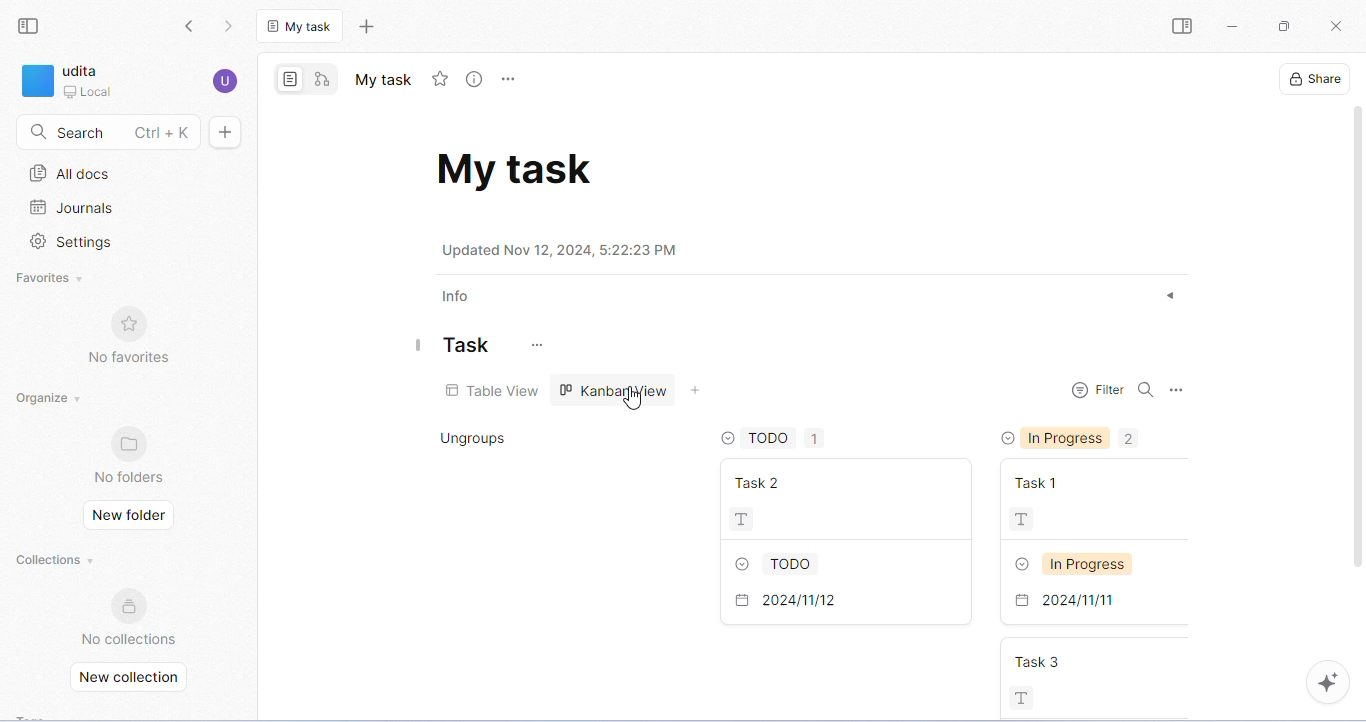 The image size is (1366, 722). Describe the element at coordinates (470, 348) in the screenshot. I see `task` at that location.